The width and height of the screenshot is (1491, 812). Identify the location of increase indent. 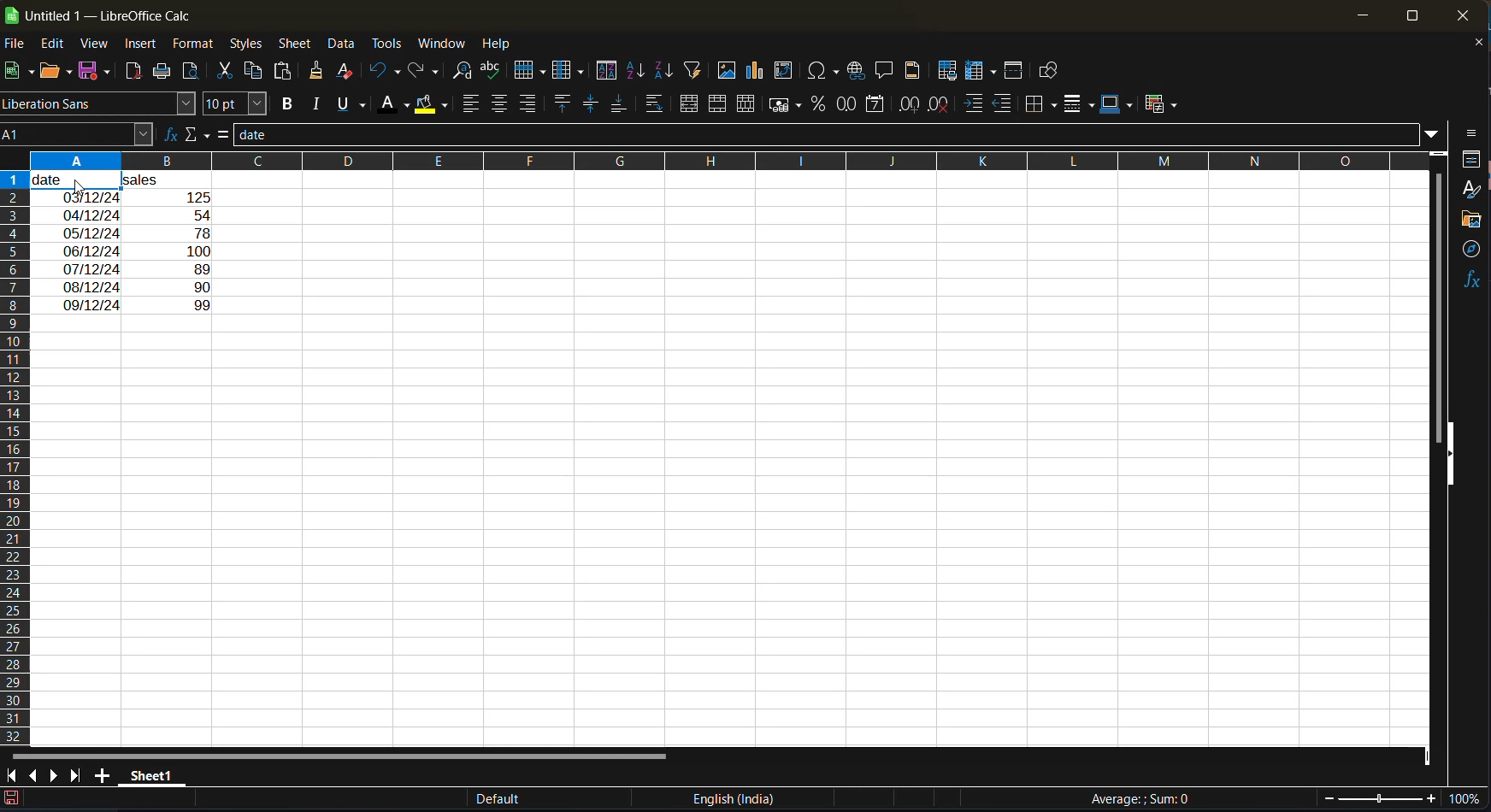
(976, 104).